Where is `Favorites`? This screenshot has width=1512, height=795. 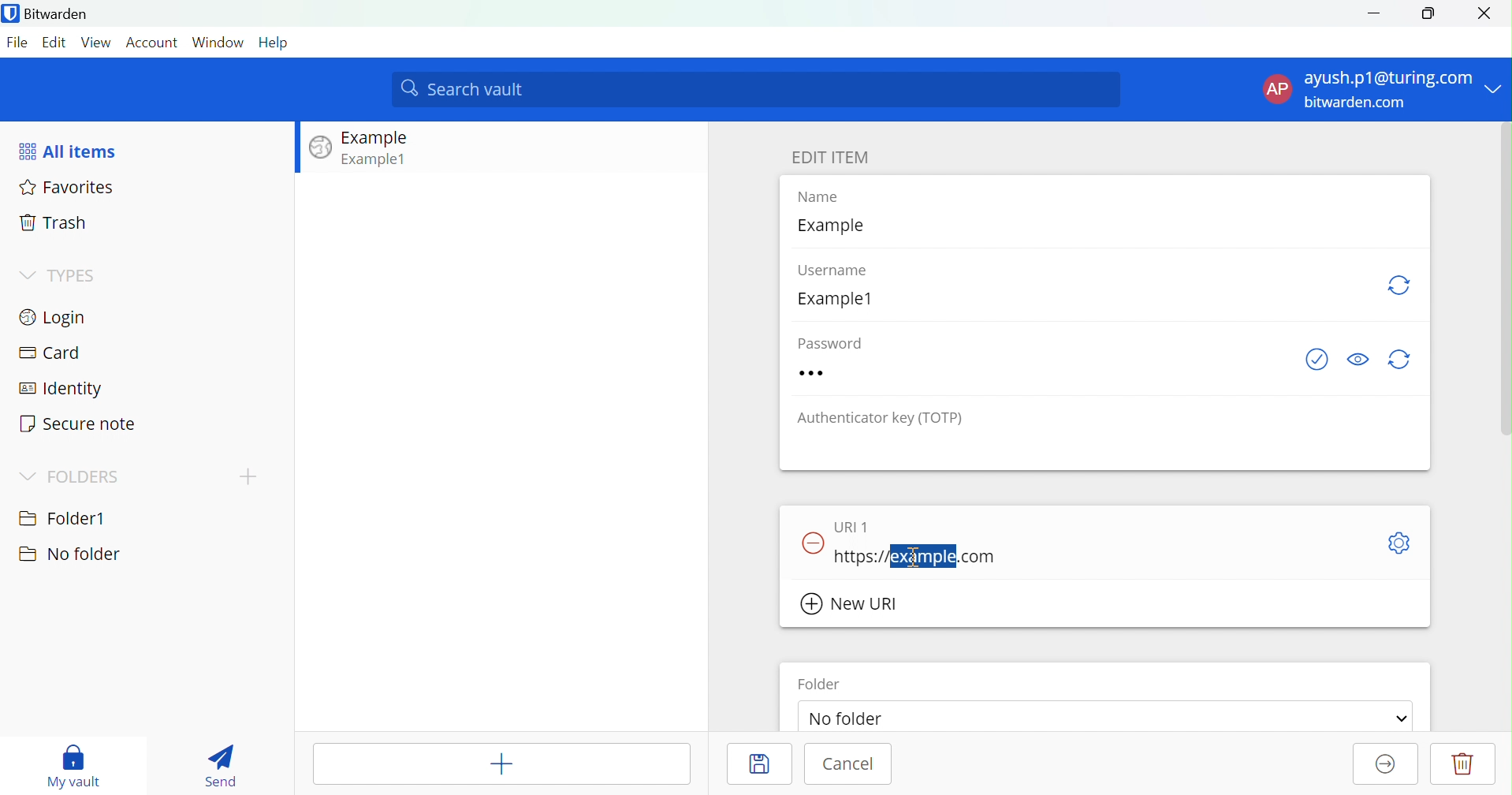 Favorites is located at coordinates (69, 189).